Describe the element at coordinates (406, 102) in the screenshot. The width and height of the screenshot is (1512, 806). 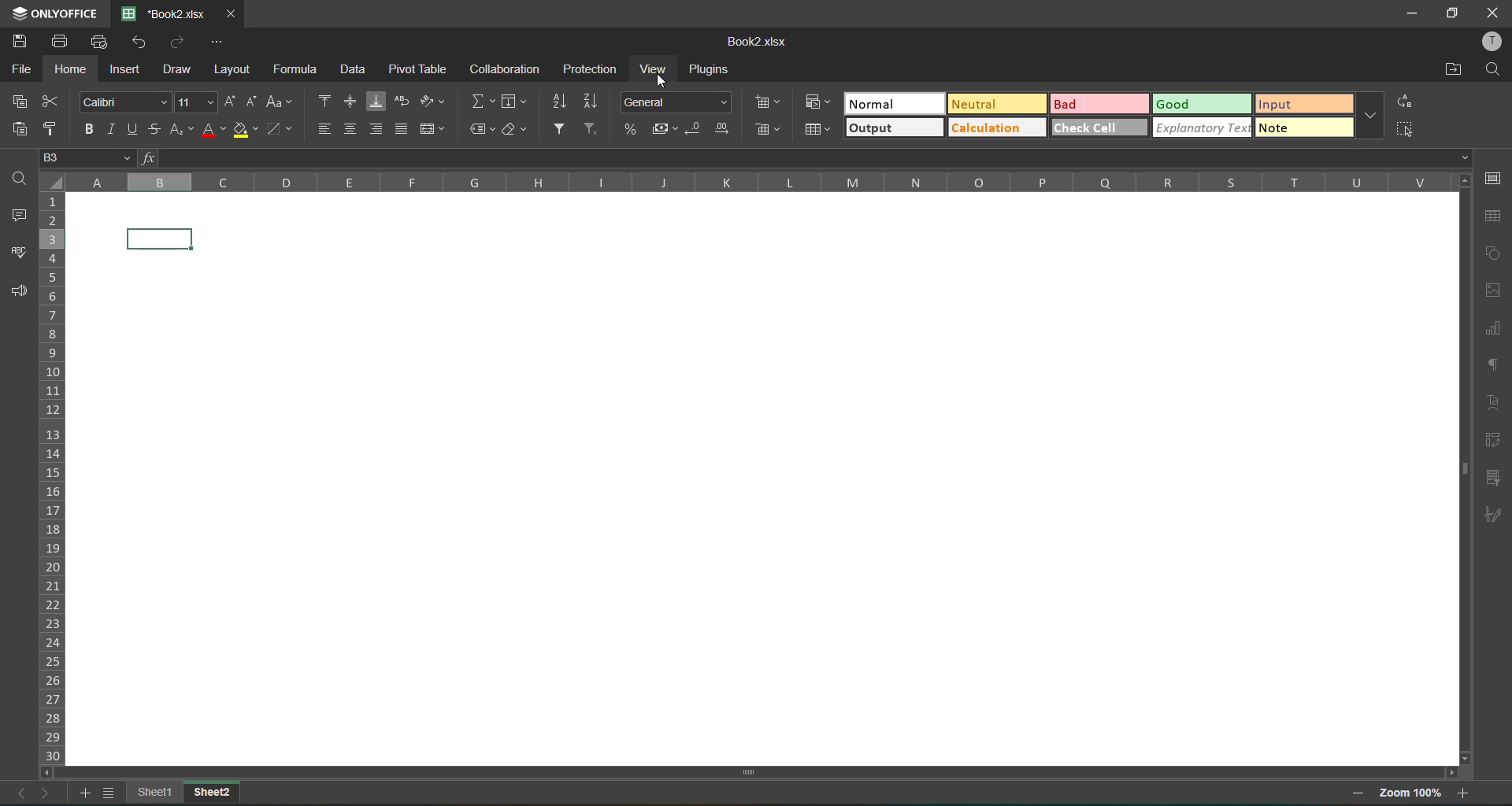
I see `wrap text` at that location.